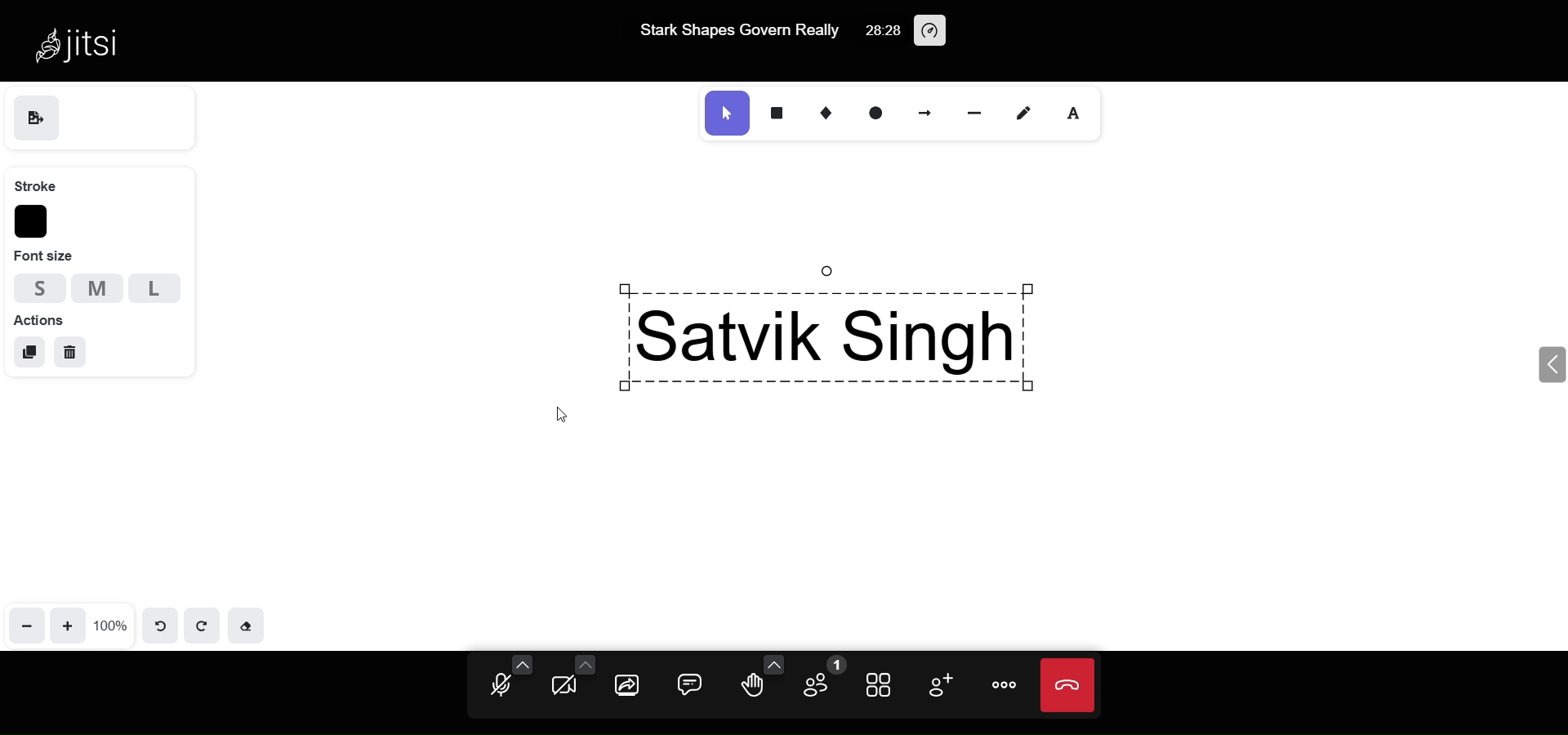 The image size is (1568, 735). Describe the element at coordinates (35, 186) in the screenshot. I see `stroke` at that location.